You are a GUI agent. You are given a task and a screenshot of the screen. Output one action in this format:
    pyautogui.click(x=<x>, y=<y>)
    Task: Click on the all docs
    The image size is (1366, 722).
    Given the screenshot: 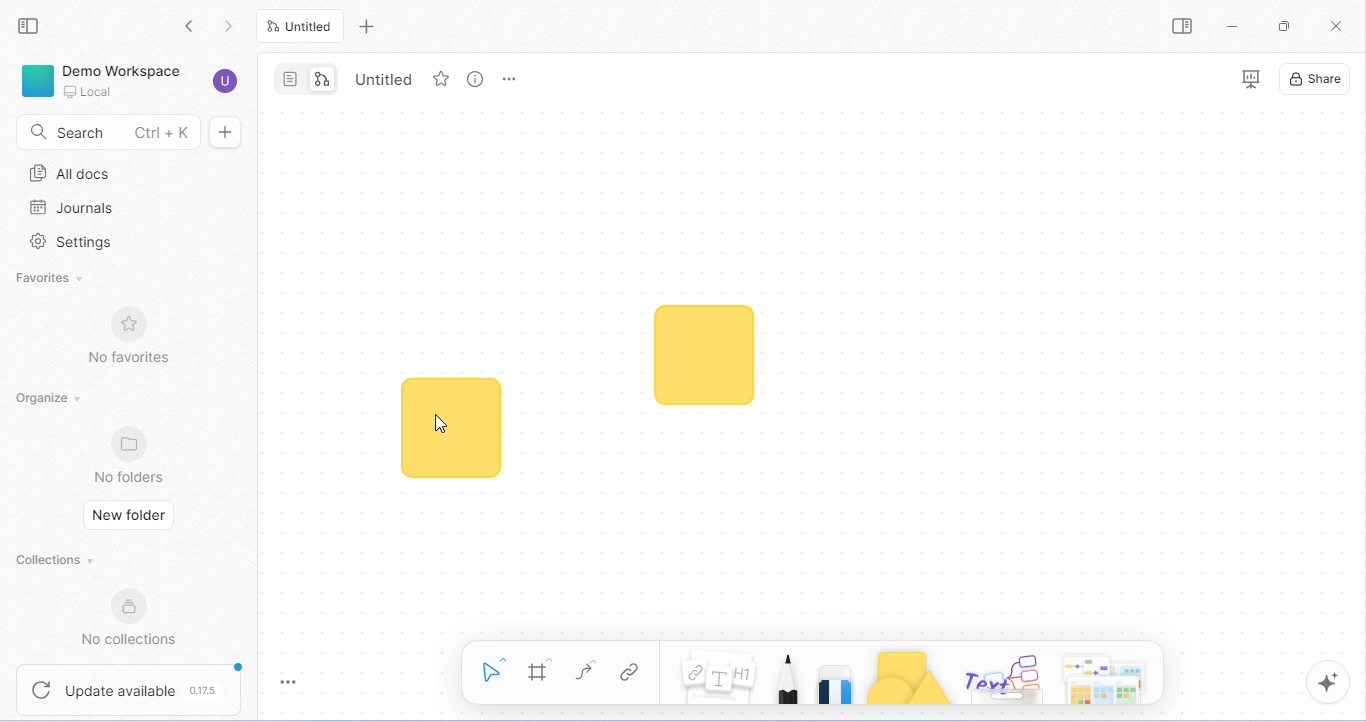 What is the action you would take?
    pyautogui.click(x=72, y=174)
    